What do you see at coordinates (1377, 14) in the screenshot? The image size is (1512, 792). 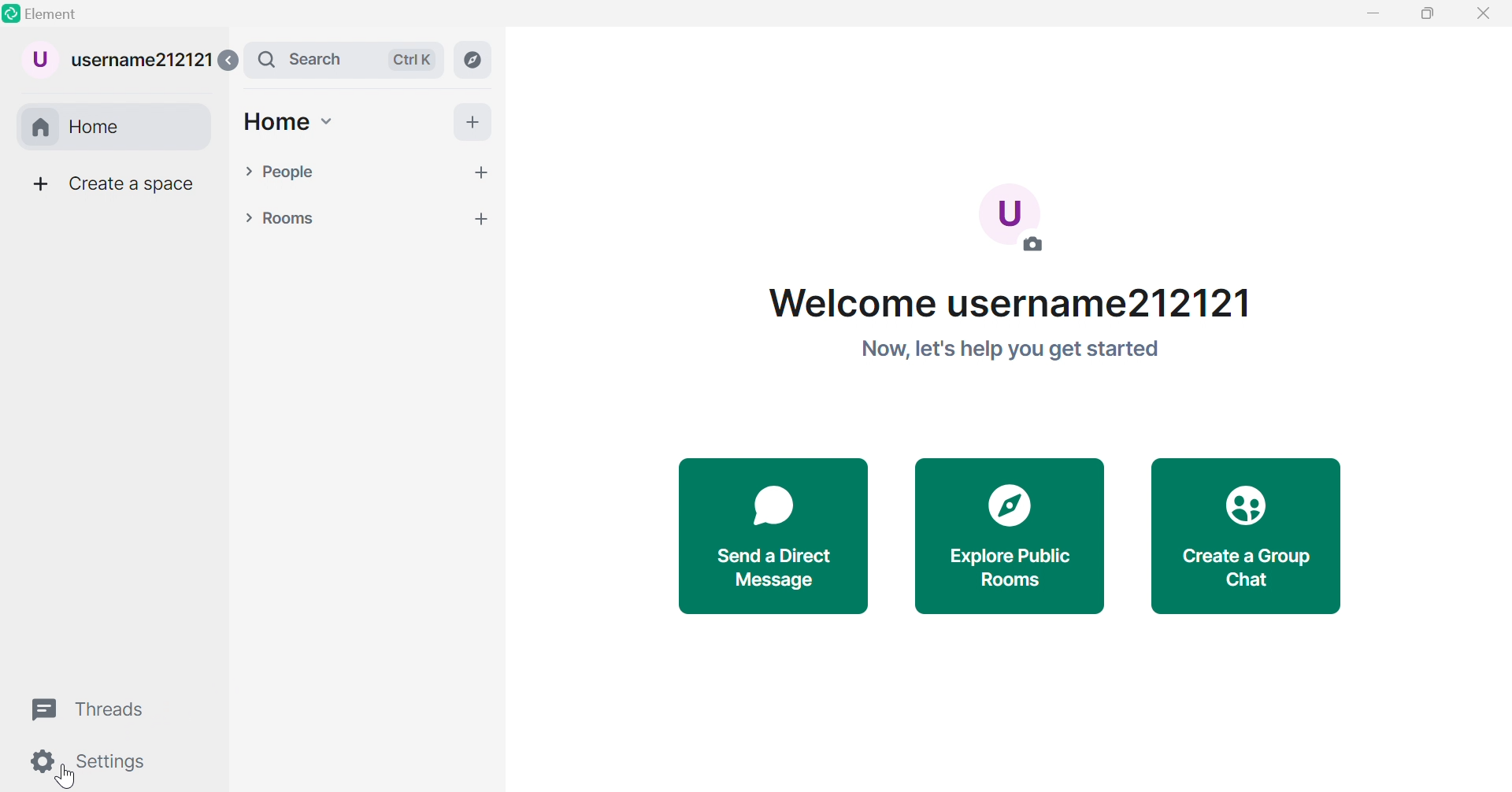 I see `Minimize` at bounding box center [1377, 14].